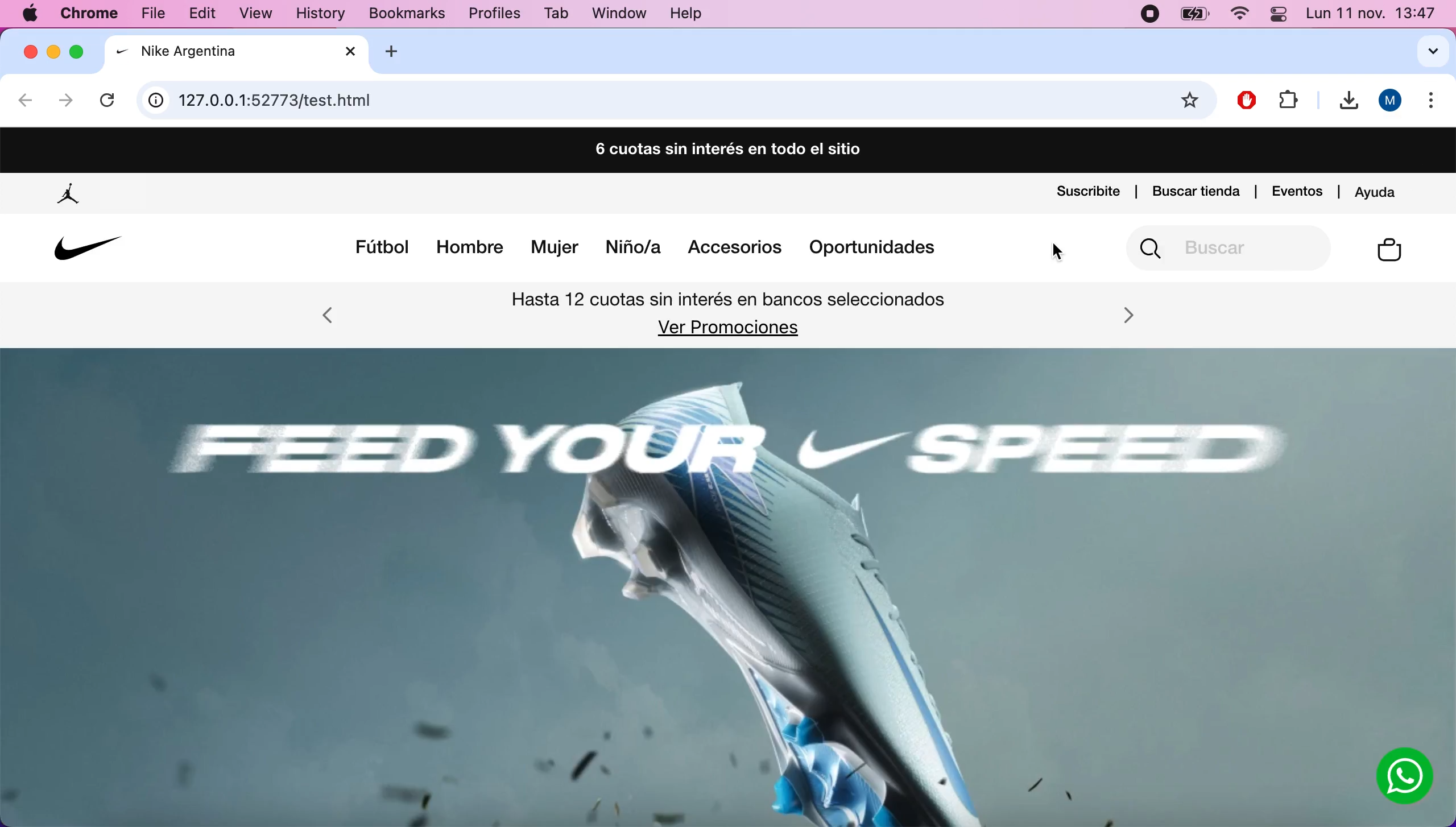  Describe the element at coordinates (31, 15) in the screenshot. I see `mac logo` at that location.